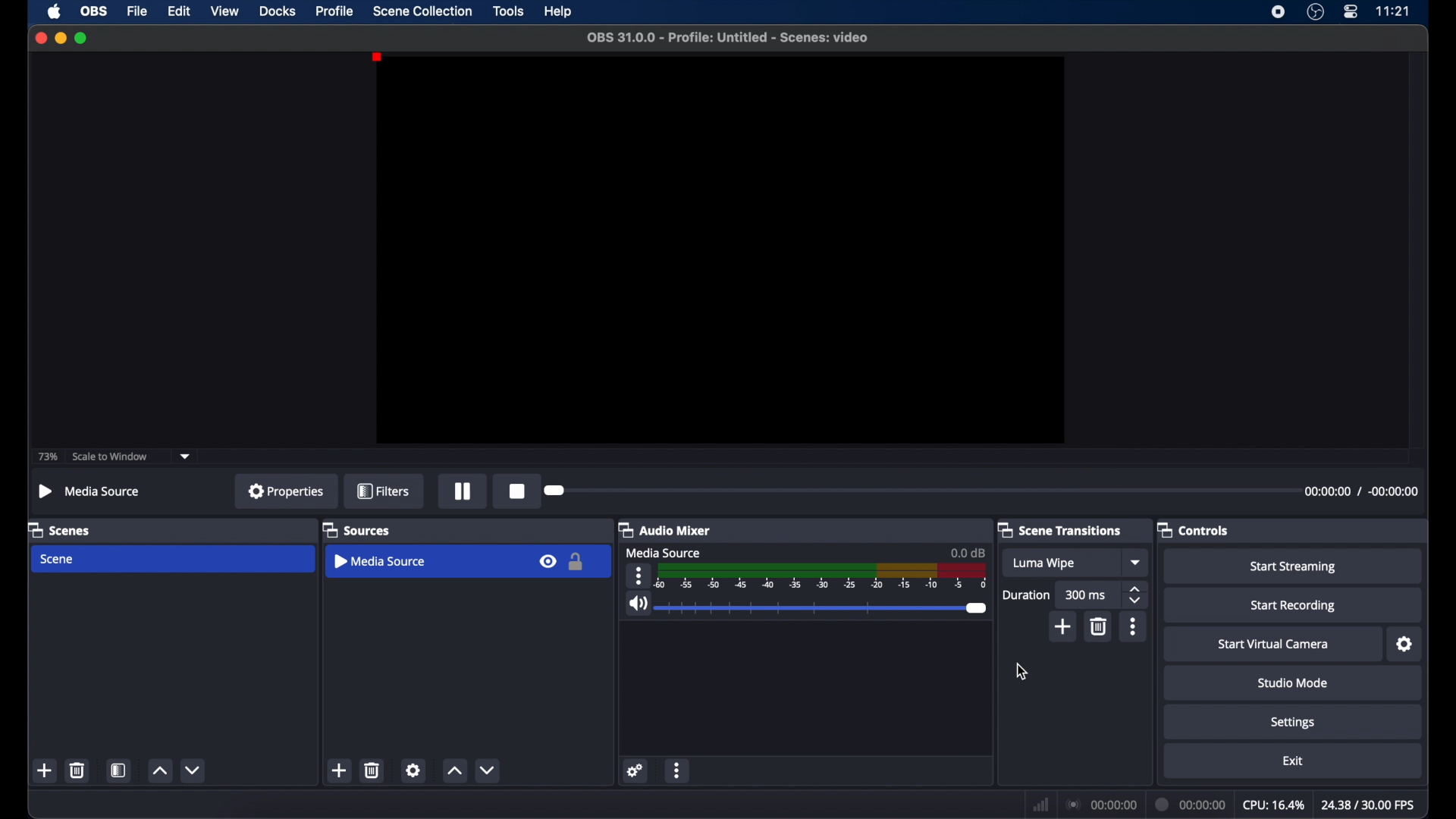 The image size is (1456, 819). I want to click on minimize, so click(60, 38).